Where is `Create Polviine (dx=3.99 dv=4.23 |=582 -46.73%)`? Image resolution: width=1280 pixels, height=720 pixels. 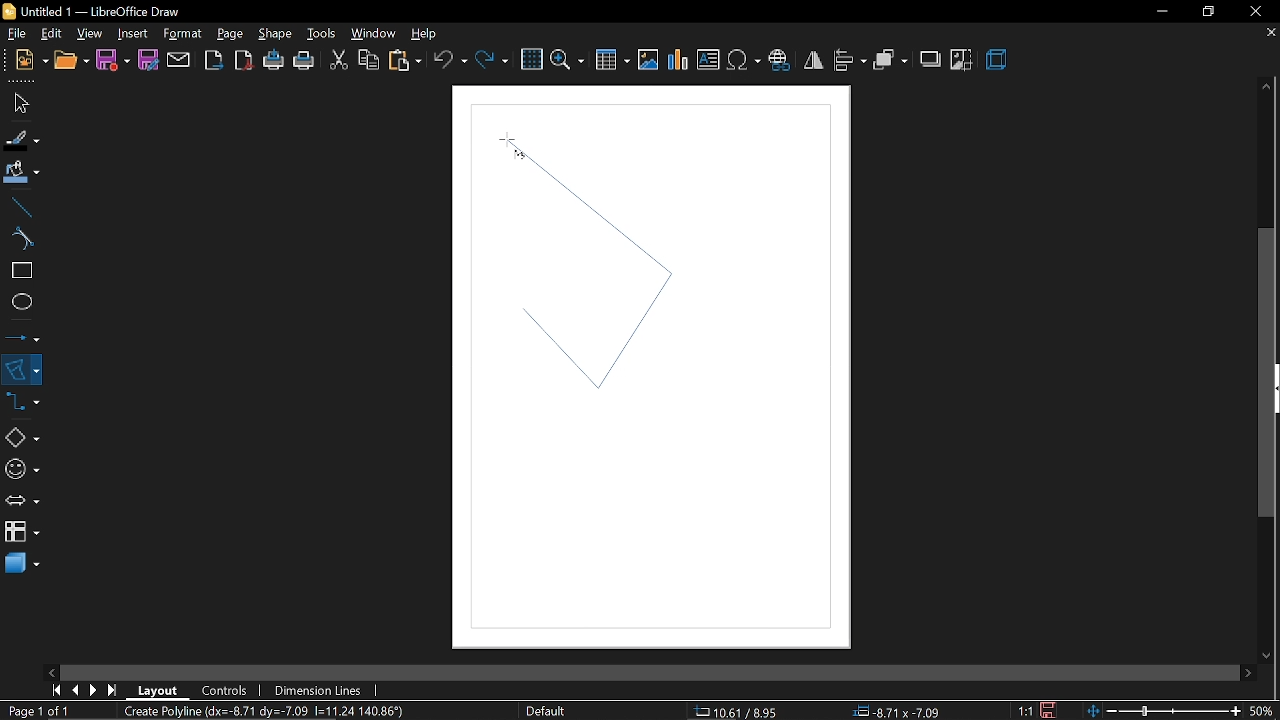 Create Polviine (dx=3.99 dv=4.23 |=582 -46.73%) is located at coordinates (275, 710).